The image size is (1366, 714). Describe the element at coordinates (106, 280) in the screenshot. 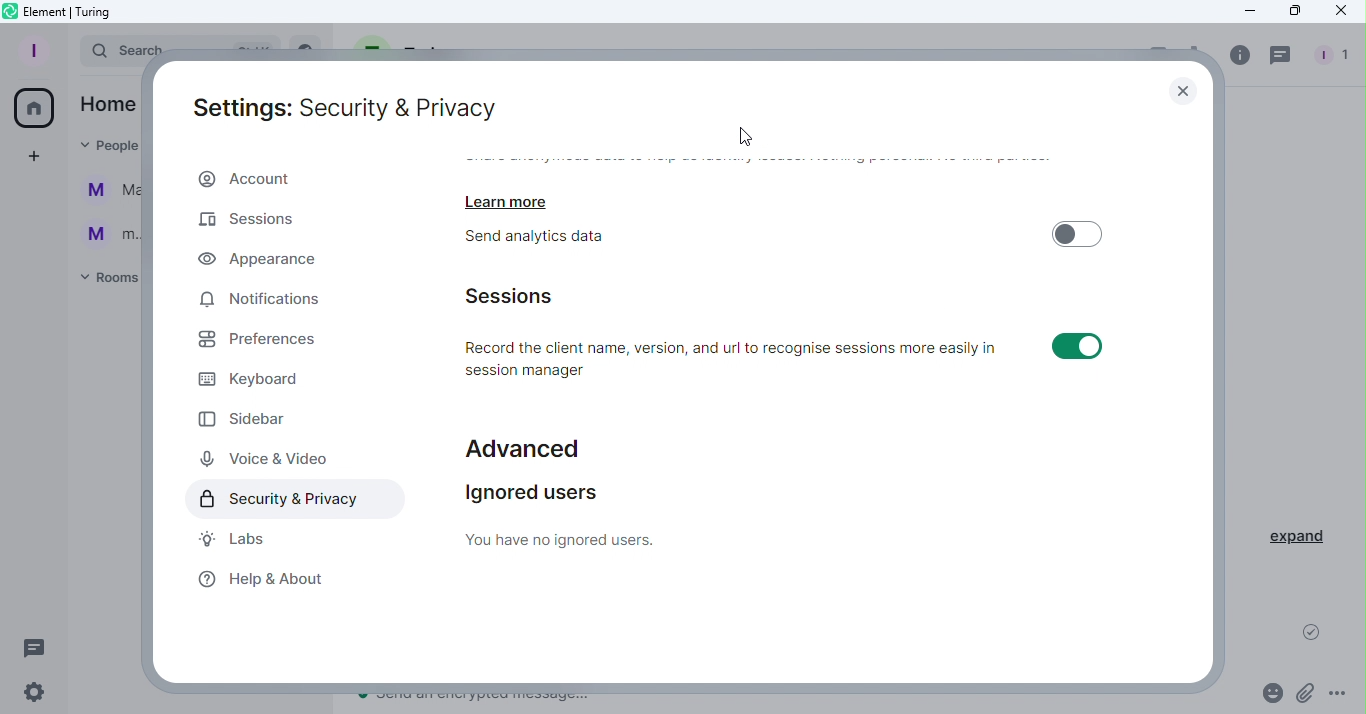

I see `Rooms` at that location.